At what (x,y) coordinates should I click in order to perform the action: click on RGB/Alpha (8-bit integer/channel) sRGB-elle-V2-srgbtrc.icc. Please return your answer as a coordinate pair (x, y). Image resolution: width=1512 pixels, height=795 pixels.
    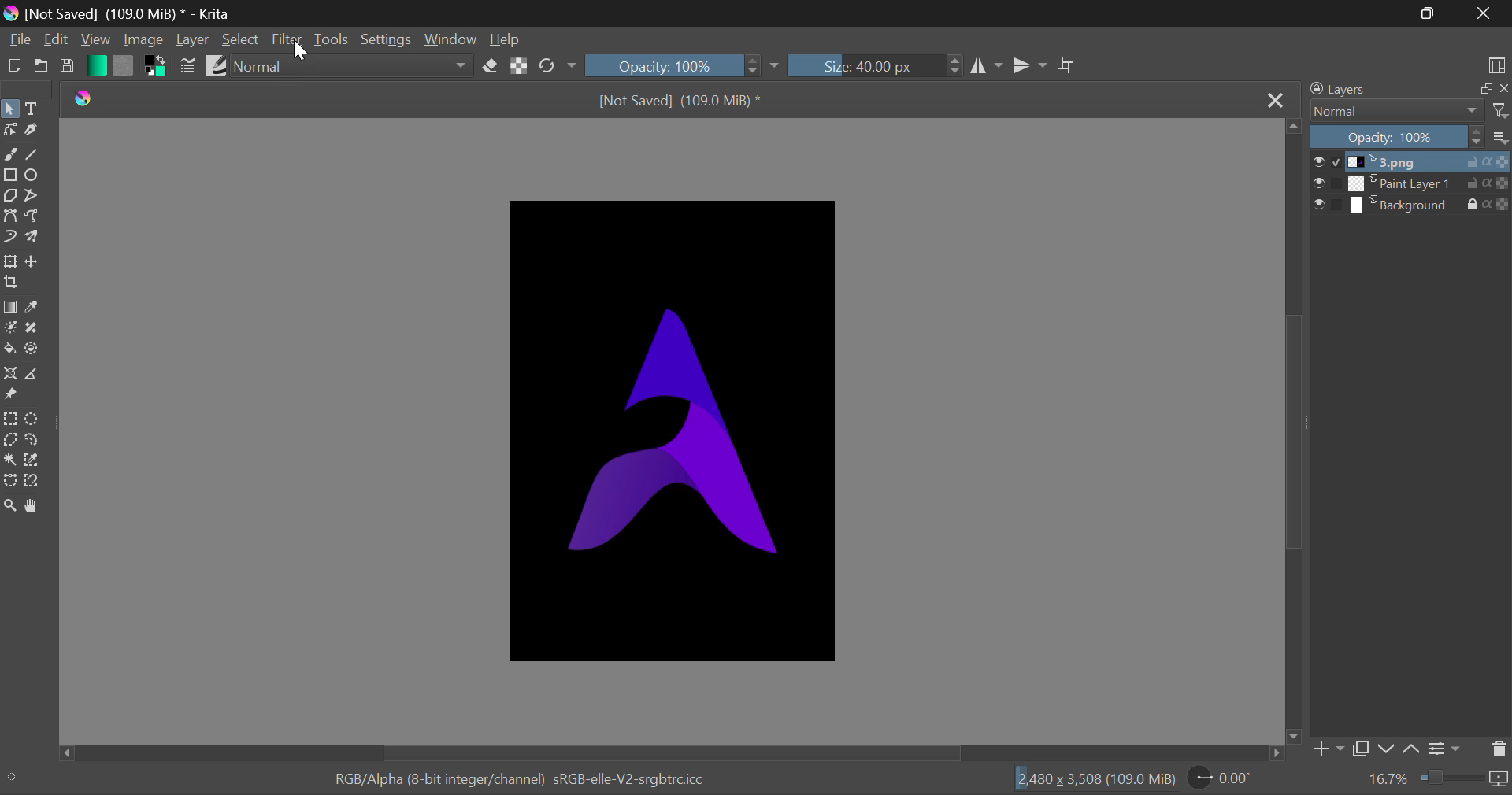
    Looking at the image, I should click on (520, 779).